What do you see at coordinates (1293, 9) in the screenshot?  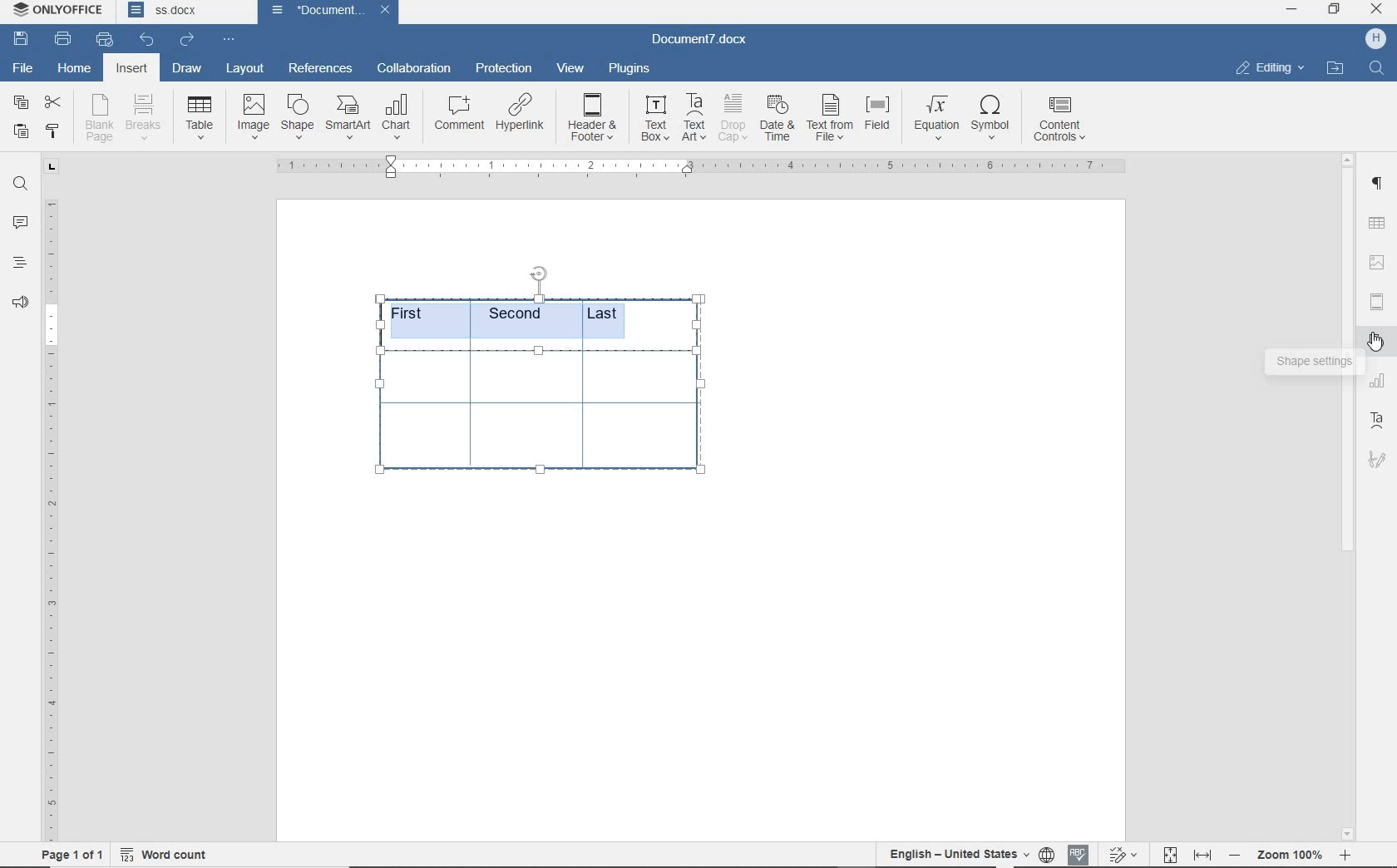 I see `MINIMIZE` at bounding box center [1293, 9].